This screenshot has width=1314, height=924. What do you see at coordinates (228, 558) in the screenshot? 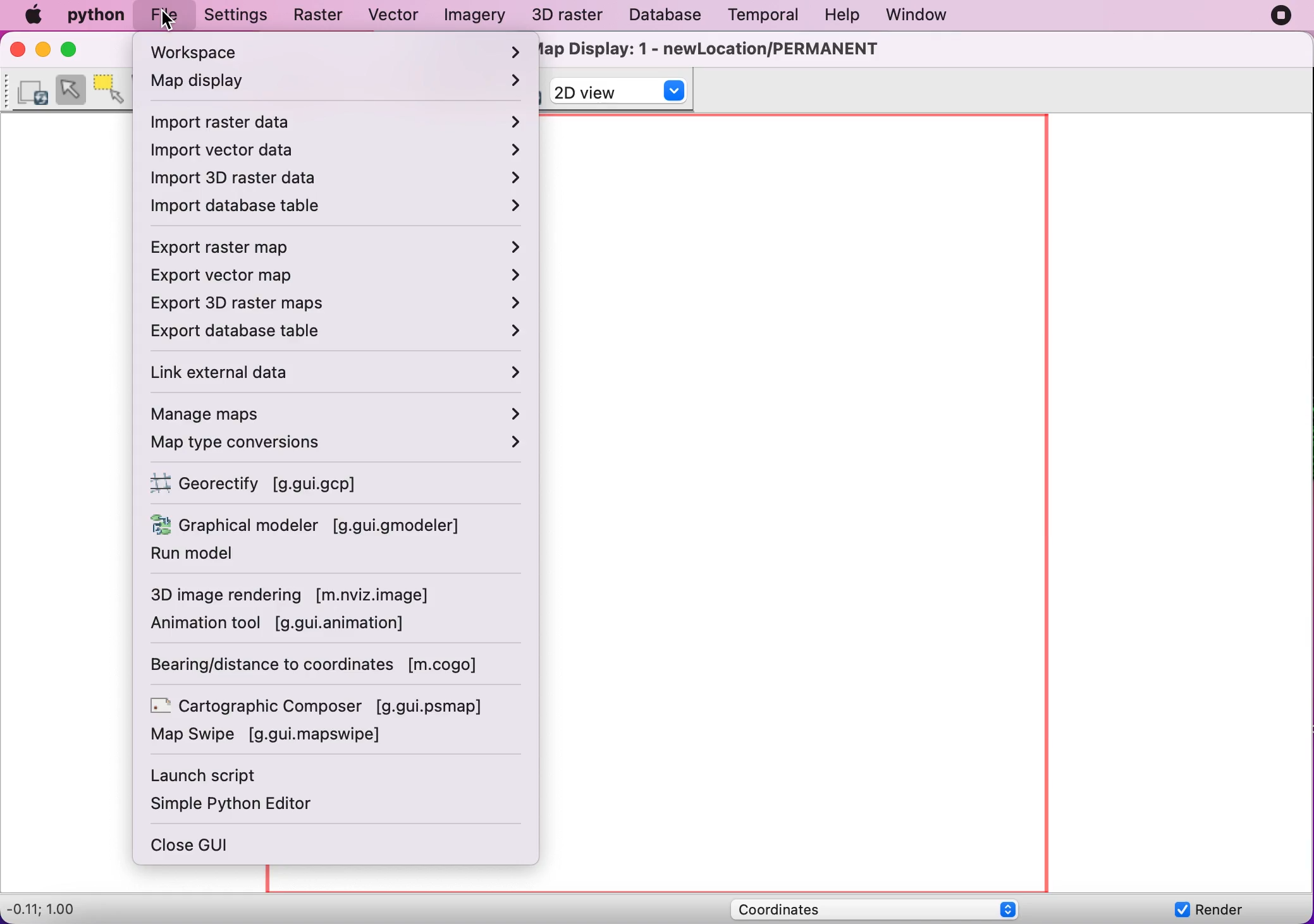
I see `run model` at bounding box center [228, 558].